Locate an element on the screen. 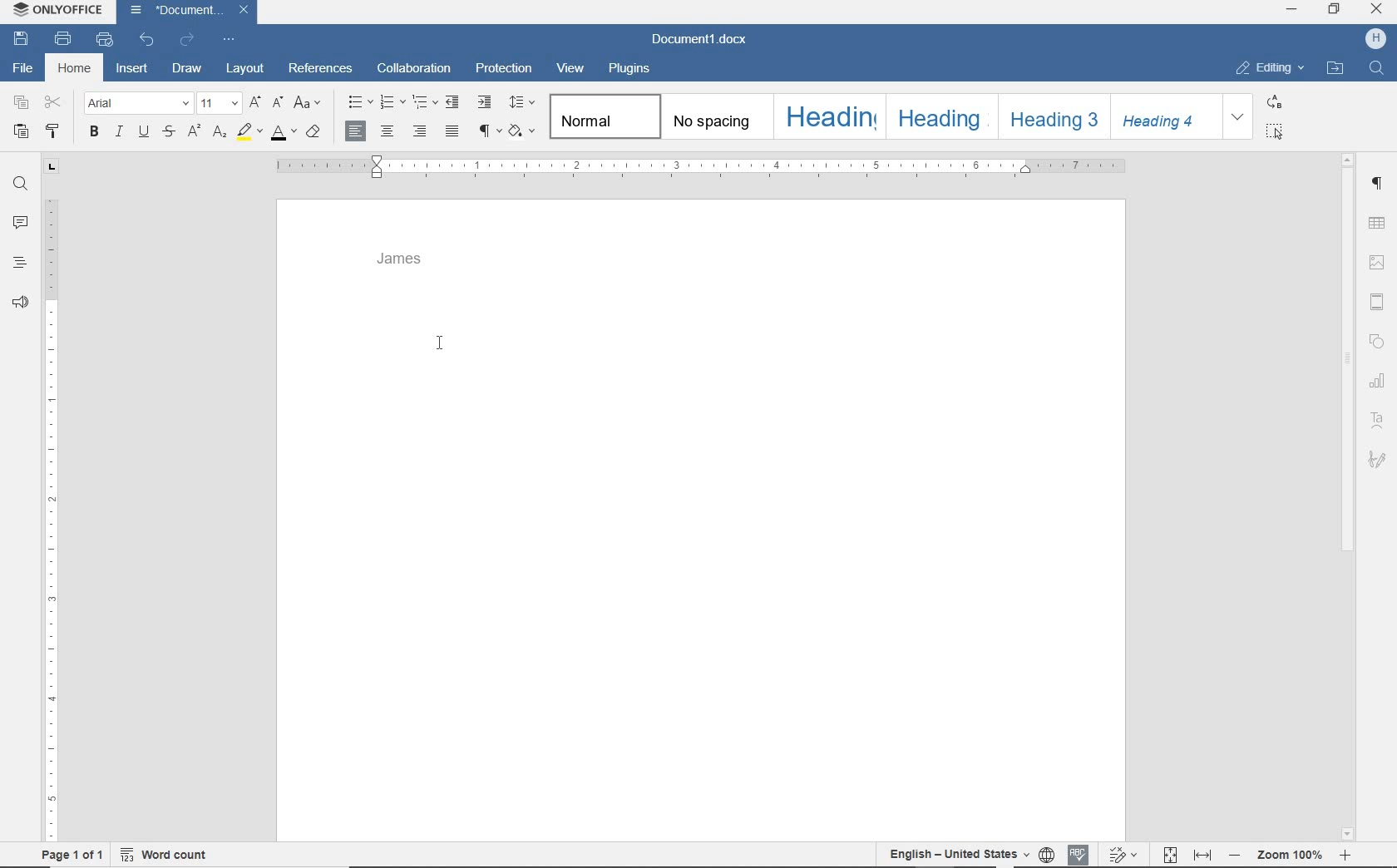 Image resolution: width=1397 pixels, height=868 pixels. draw is located at coordinates (187, 67).